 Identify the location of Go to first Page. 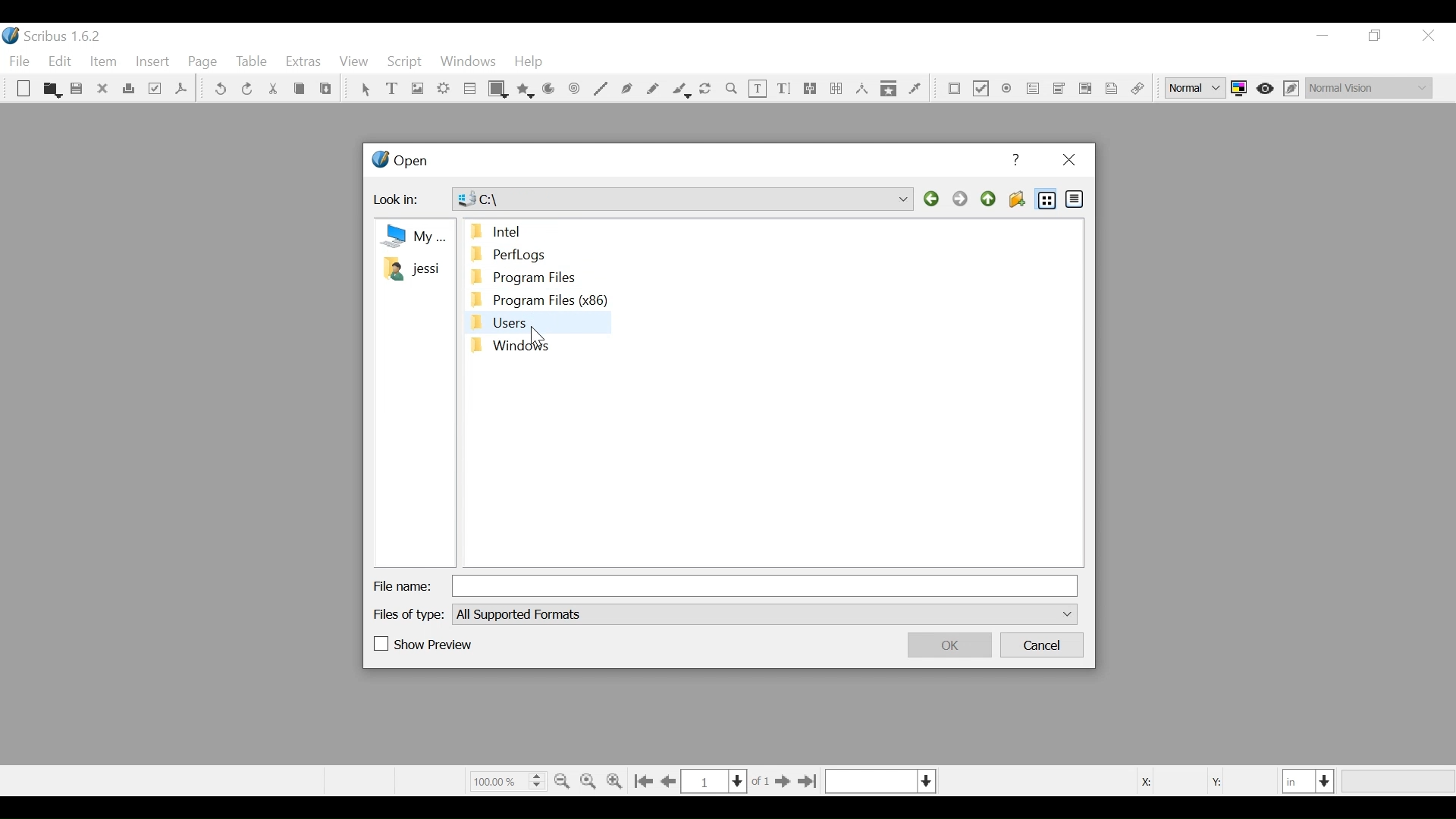
(645, 781).